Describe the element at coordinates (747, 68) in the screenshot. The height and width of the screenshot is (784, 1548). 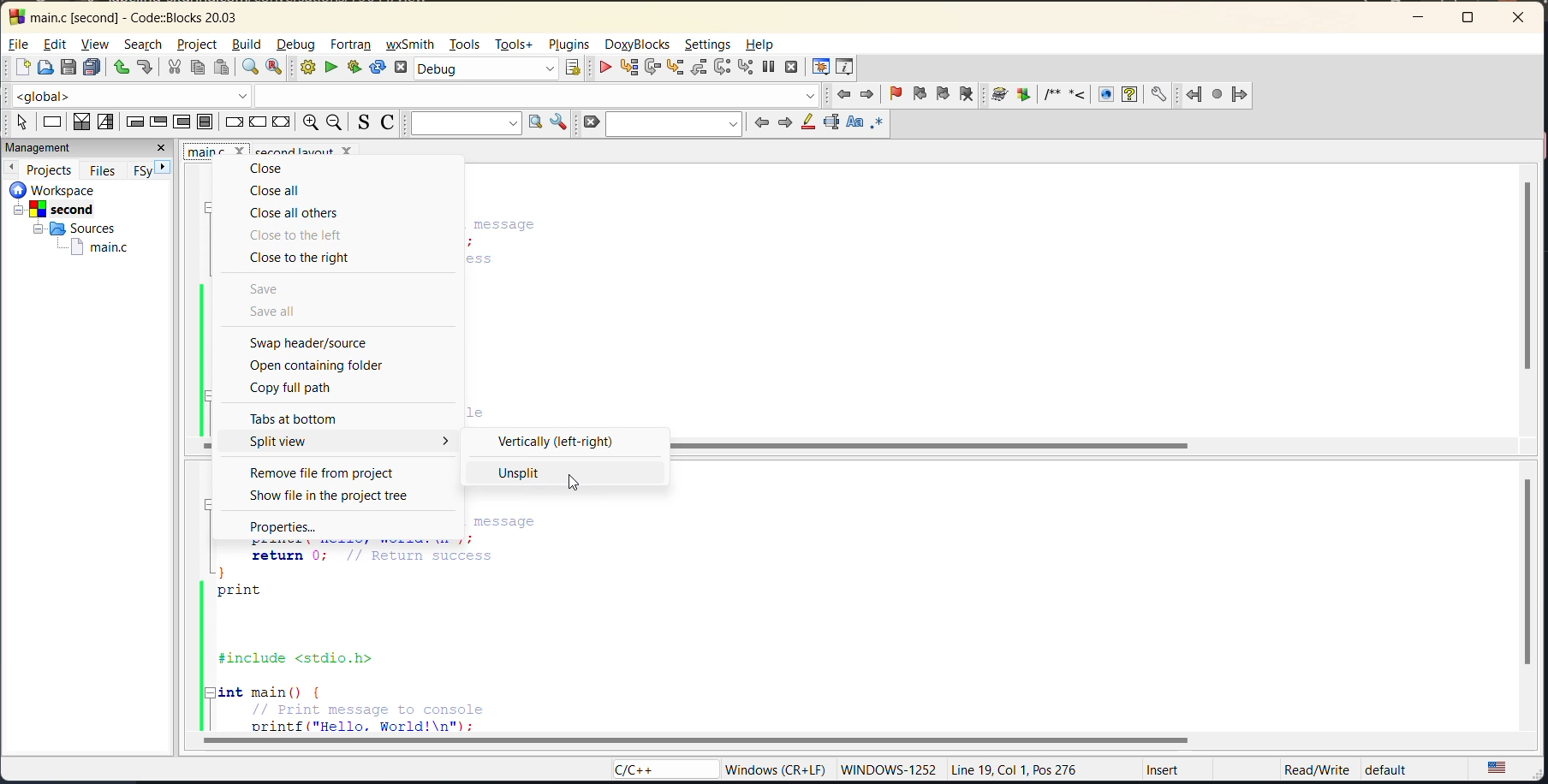
I see `step into instruction` at that location.